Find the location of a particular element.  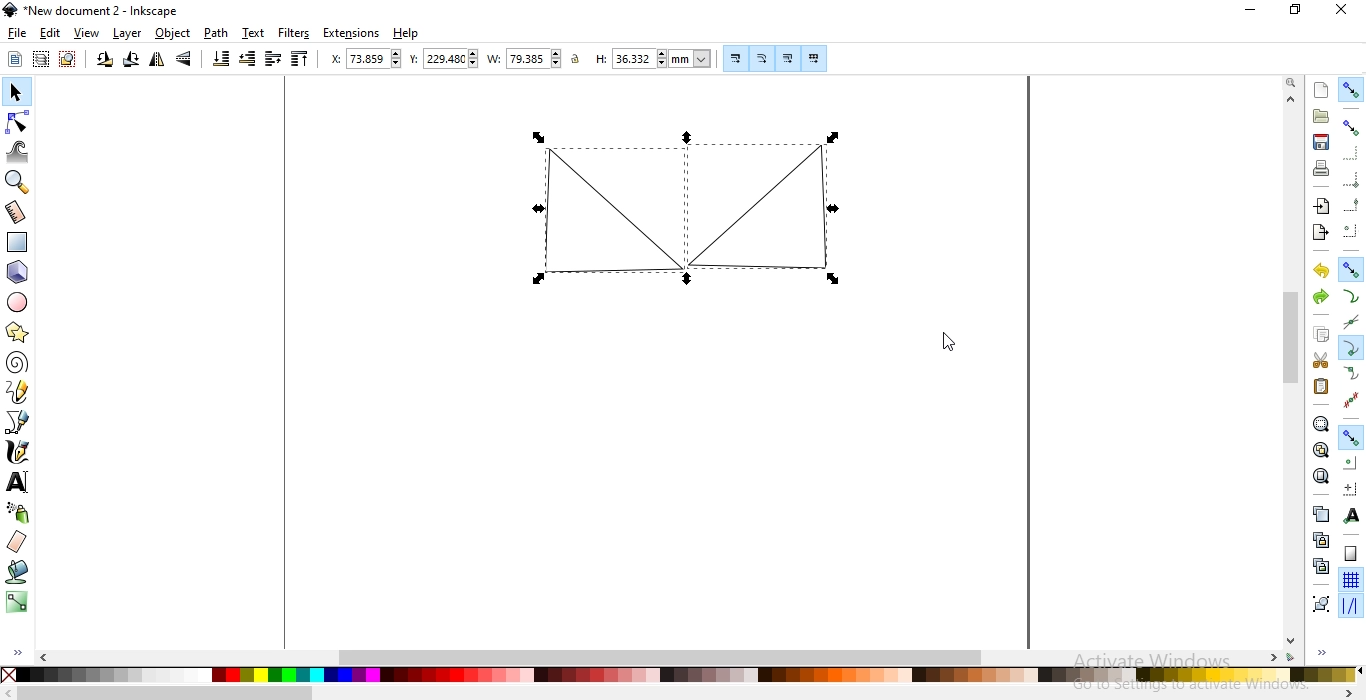

create 3d object is located at coordinates (18, 272).